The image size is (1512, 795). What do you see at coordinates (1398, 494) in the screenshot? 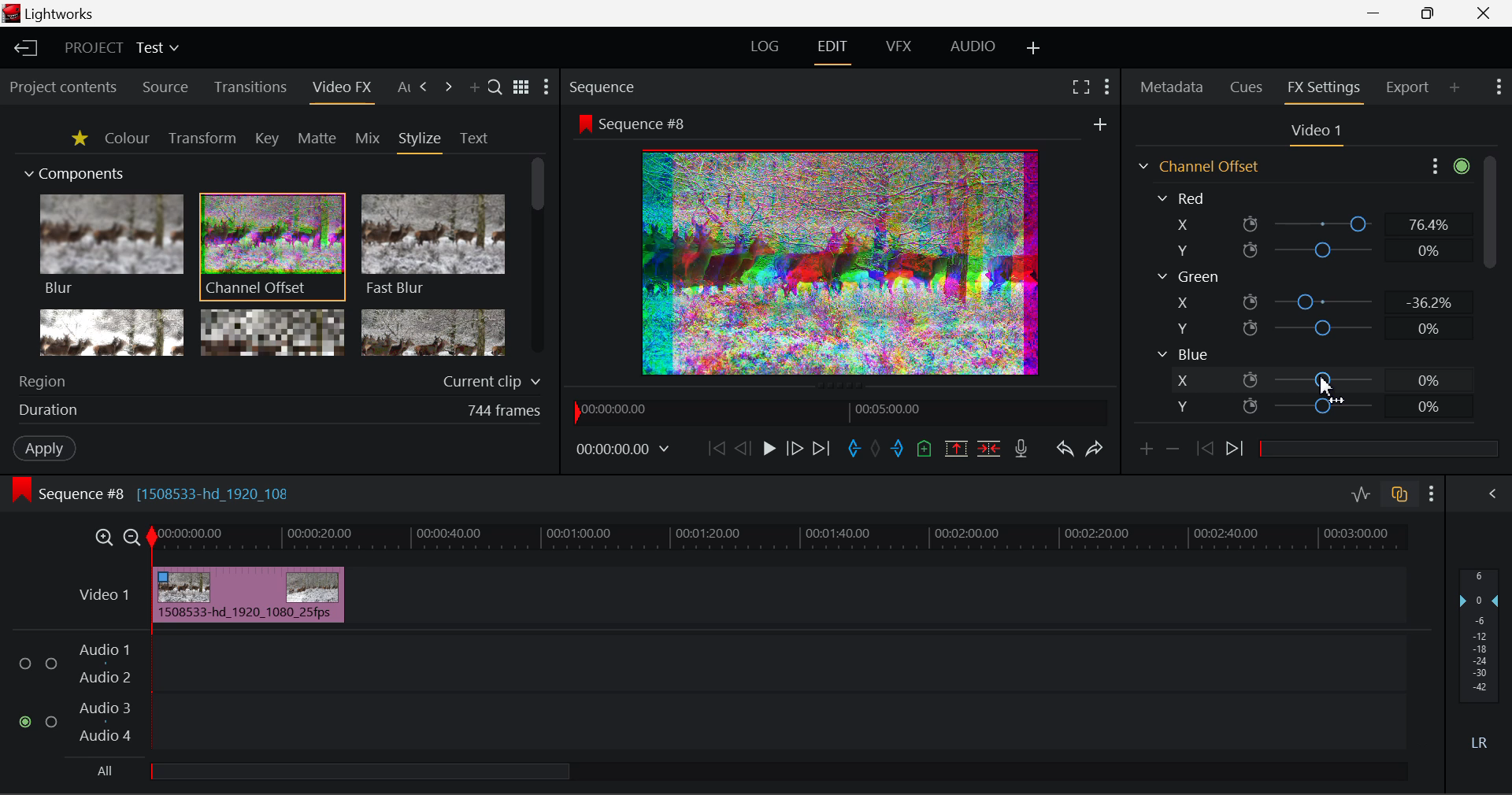
I see `Toggle auto track sync` at bounding box center [1398, 494].